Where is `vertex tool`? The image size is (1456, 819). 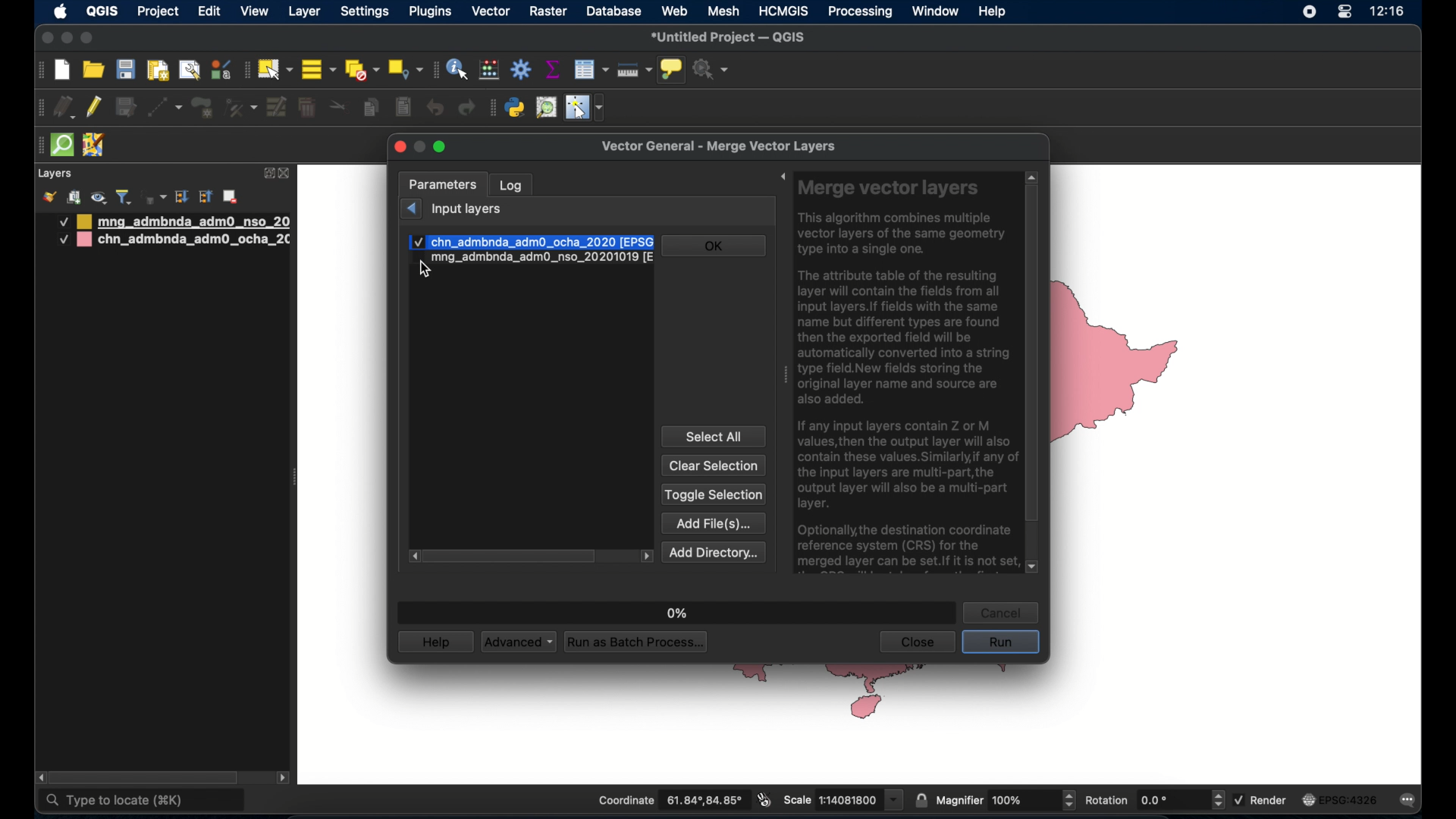 vertex tool is located at coordinates (240, 106).